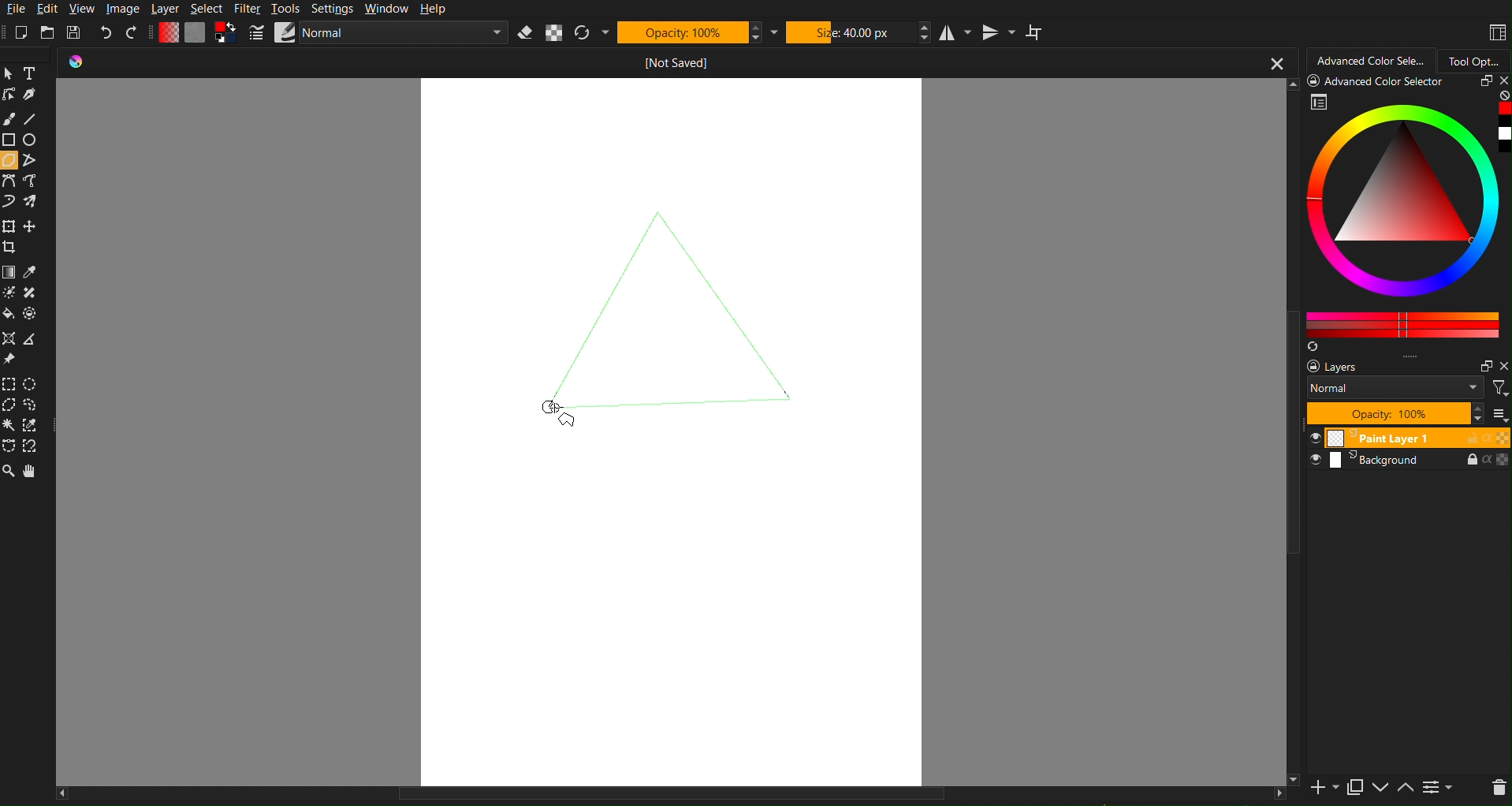  I want to click on bezier curve Selection Tools, so click(9, 446).